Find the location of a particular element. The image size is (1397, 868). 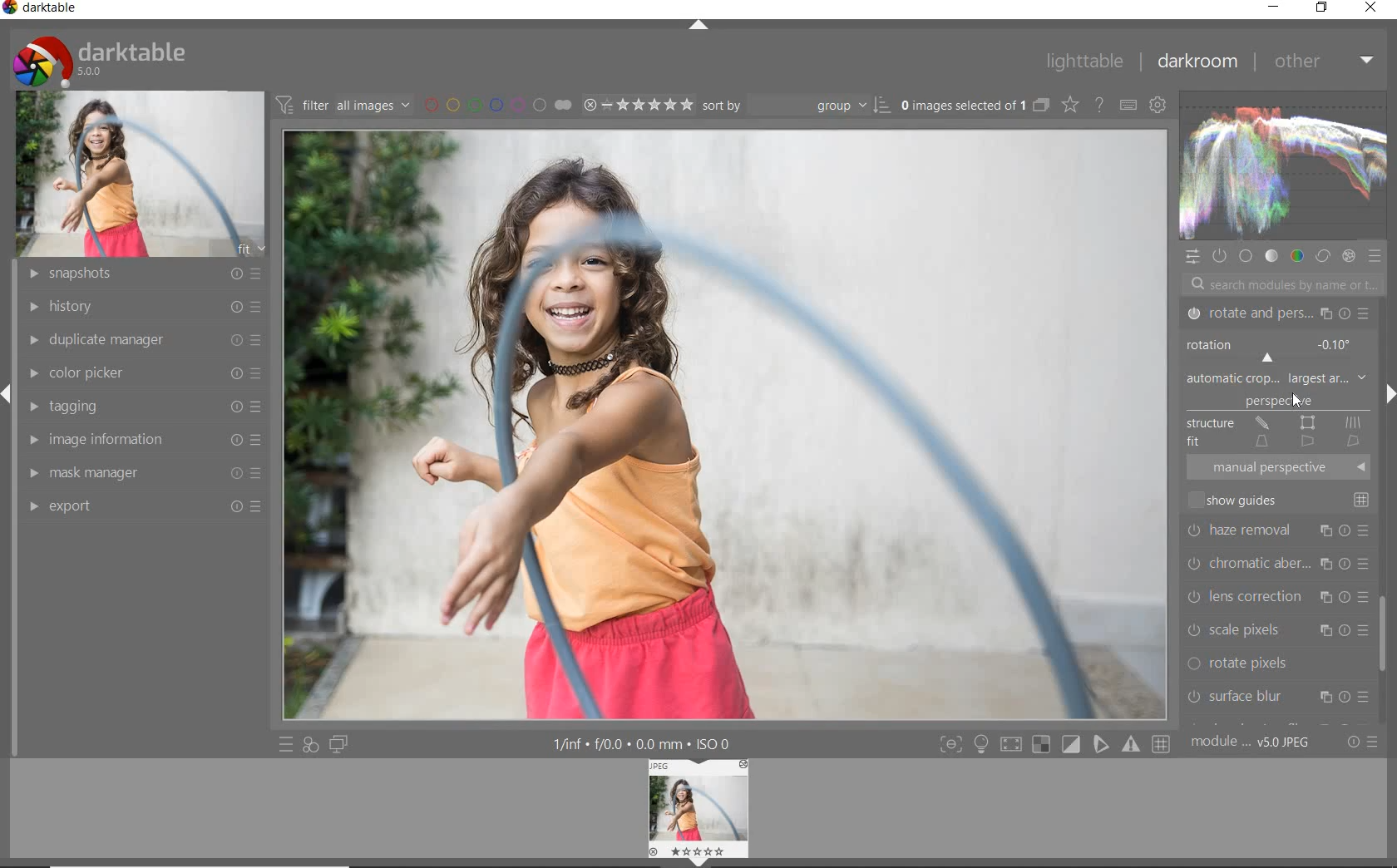

reset or preset preference is located at coordinates (1359, 742).